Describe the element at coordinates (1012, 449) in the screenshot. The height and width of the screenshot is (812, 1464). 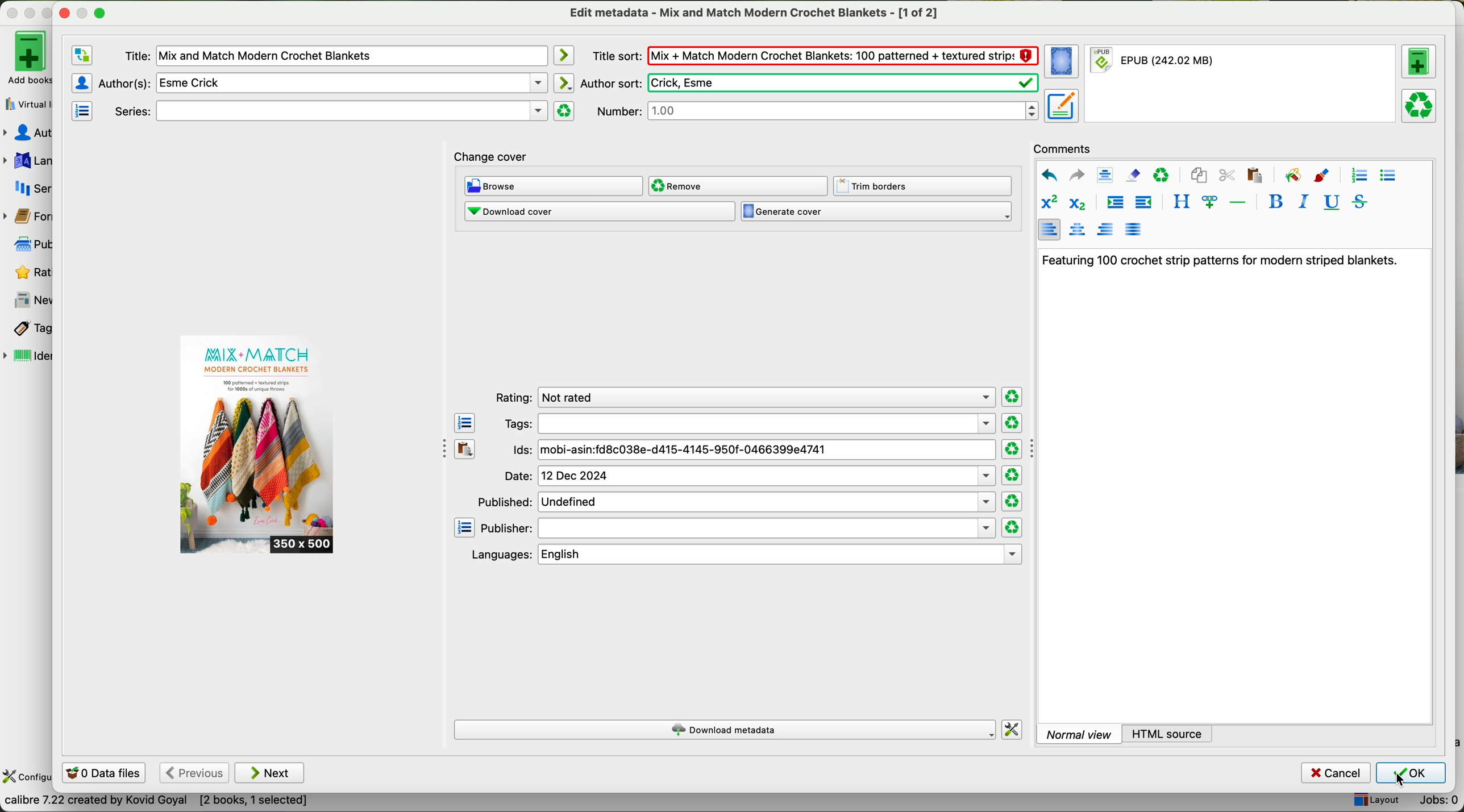
I see `clear rating` at that location.